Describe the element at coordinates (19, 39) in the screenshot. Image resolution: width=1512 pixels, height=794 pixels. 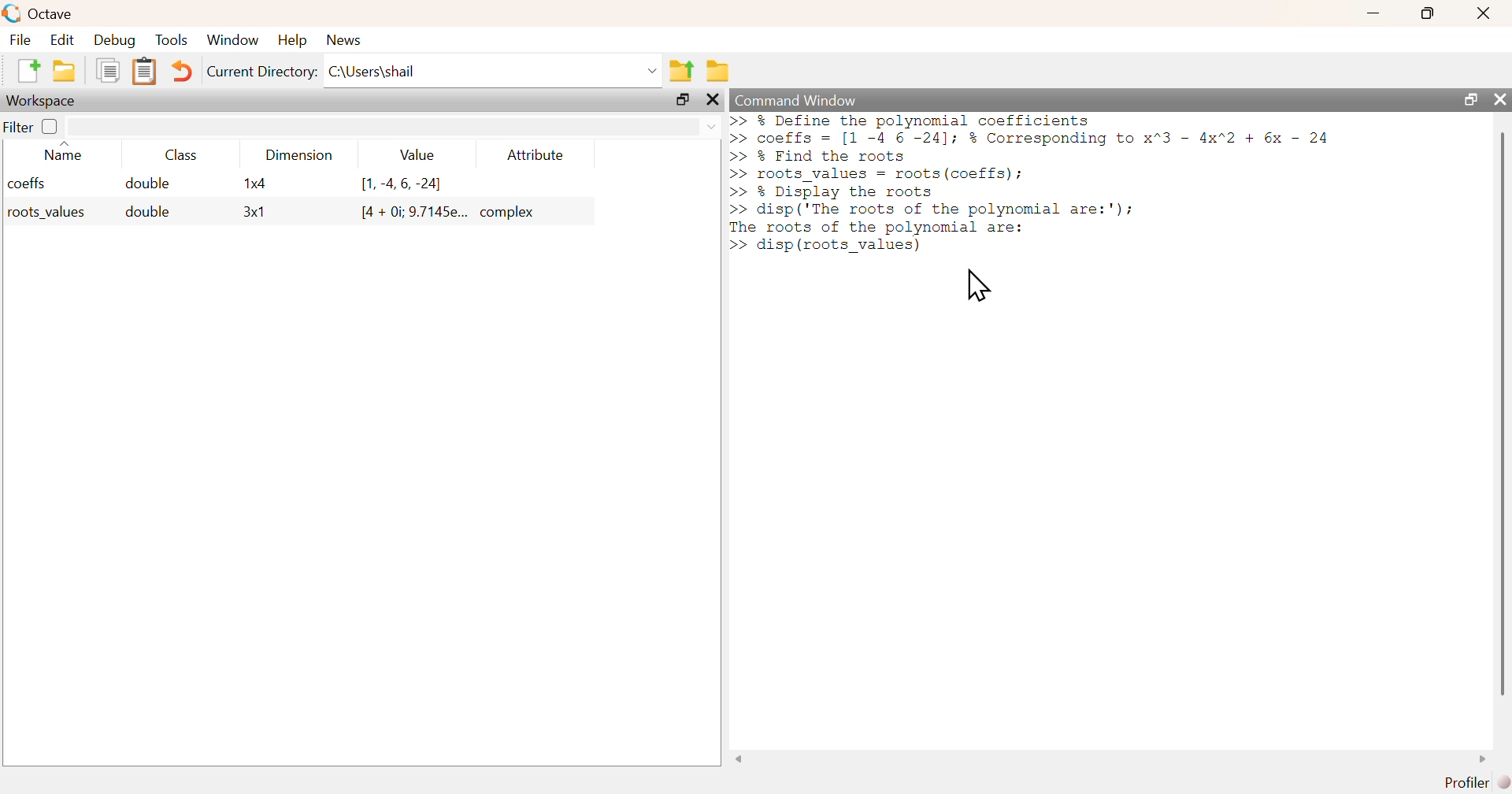
I see `File` at that location.